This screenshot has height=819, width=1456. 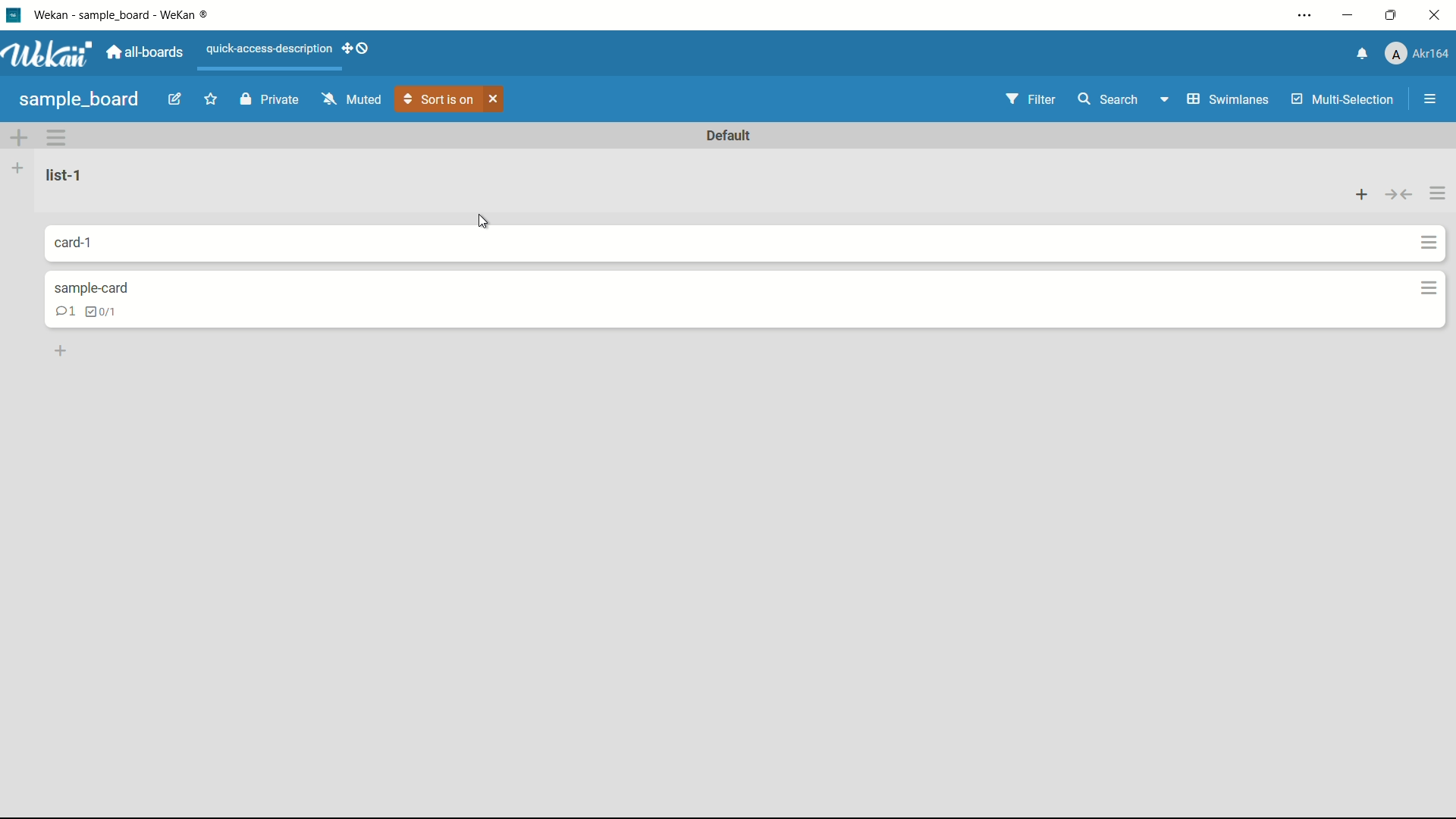 I want to click on card name, so click(x=104, y=287).